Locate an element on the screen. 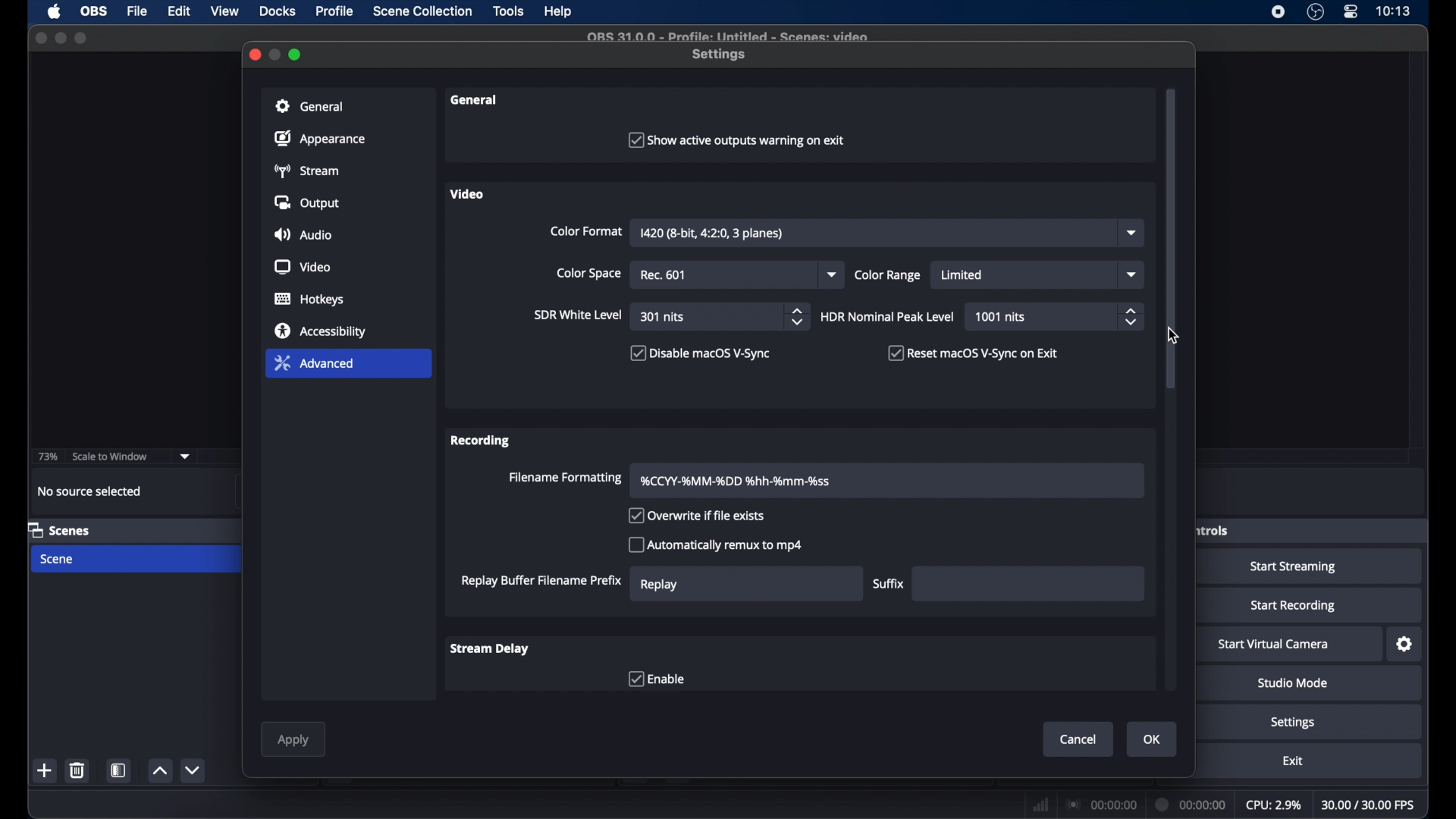 The image size is (1456, 819). connection is located at coordinates (1100, 804).